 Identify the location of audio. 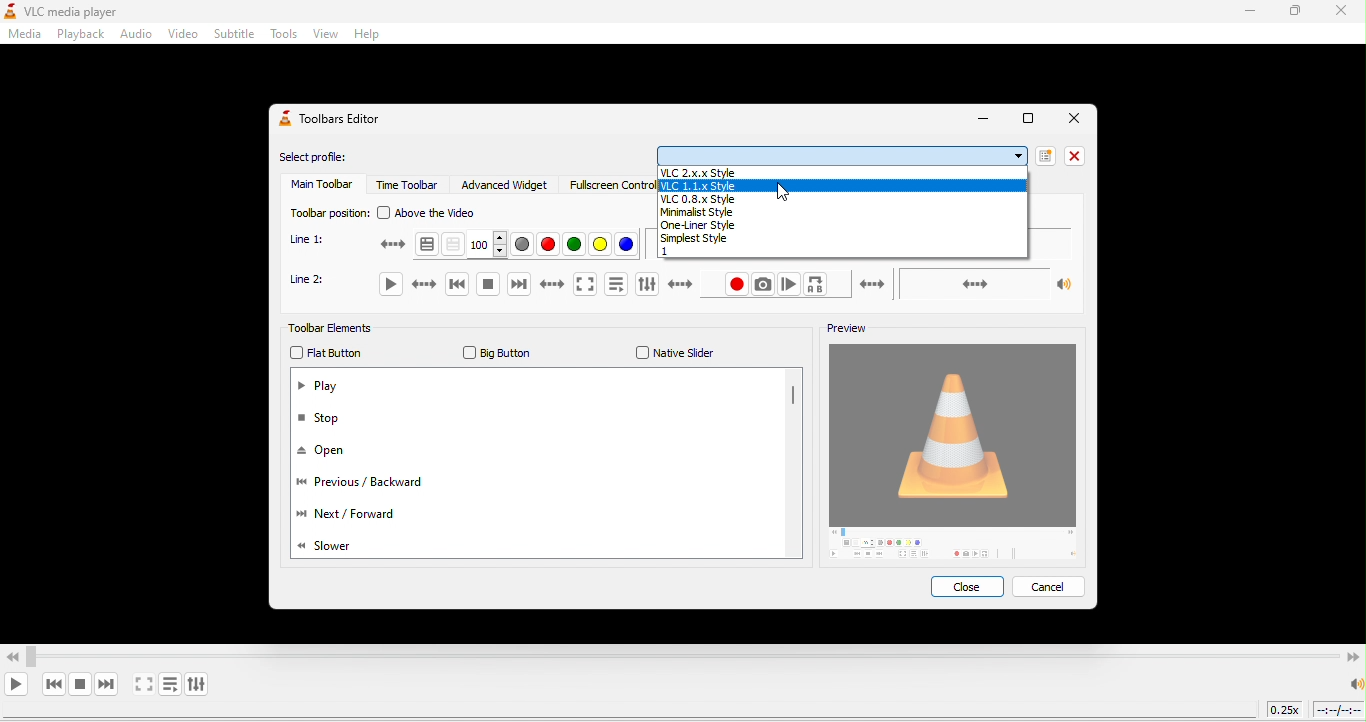
(135, 36).